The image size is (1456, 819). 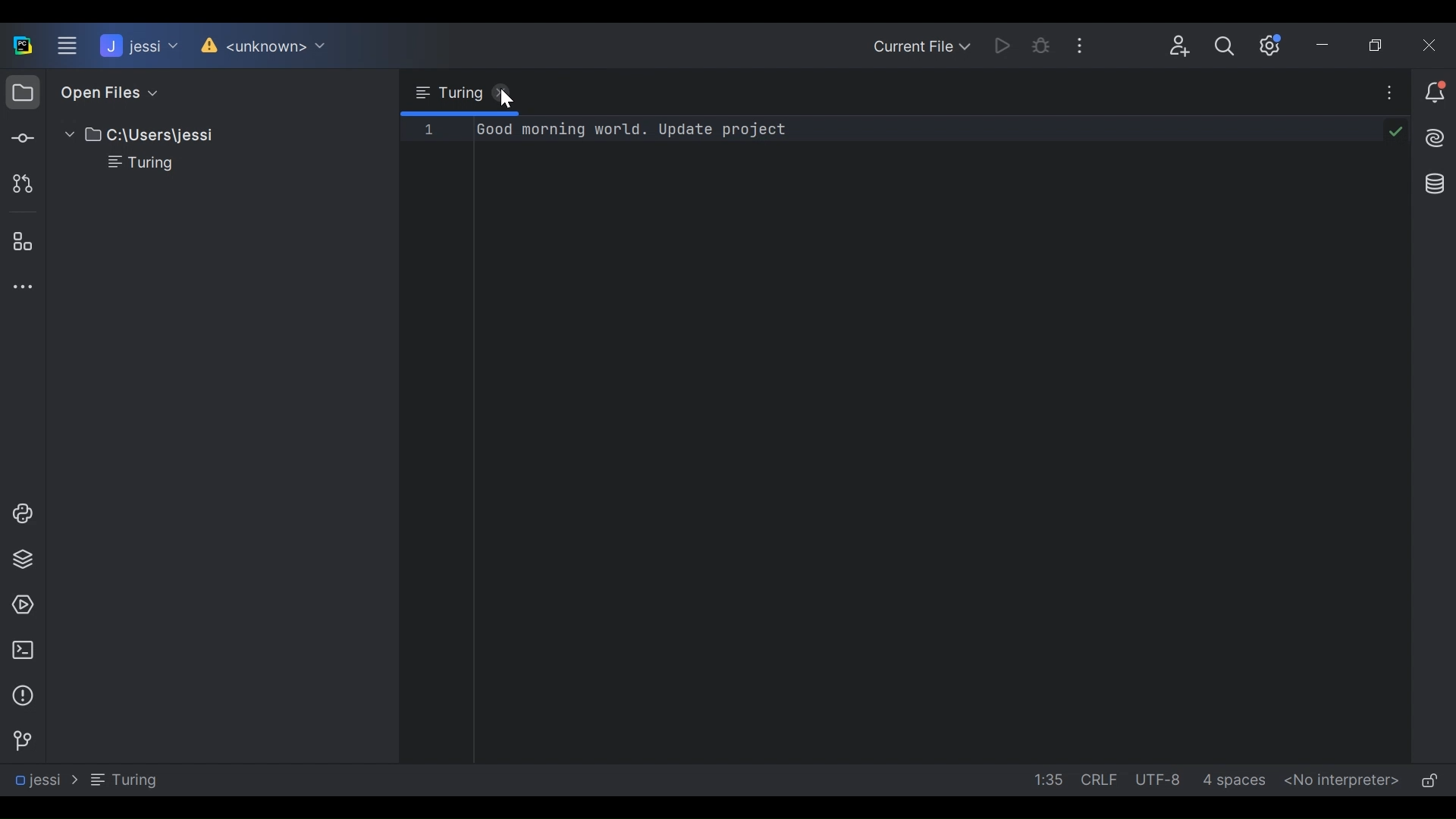 I want to click on Bug, so click(x=1042, y=44).